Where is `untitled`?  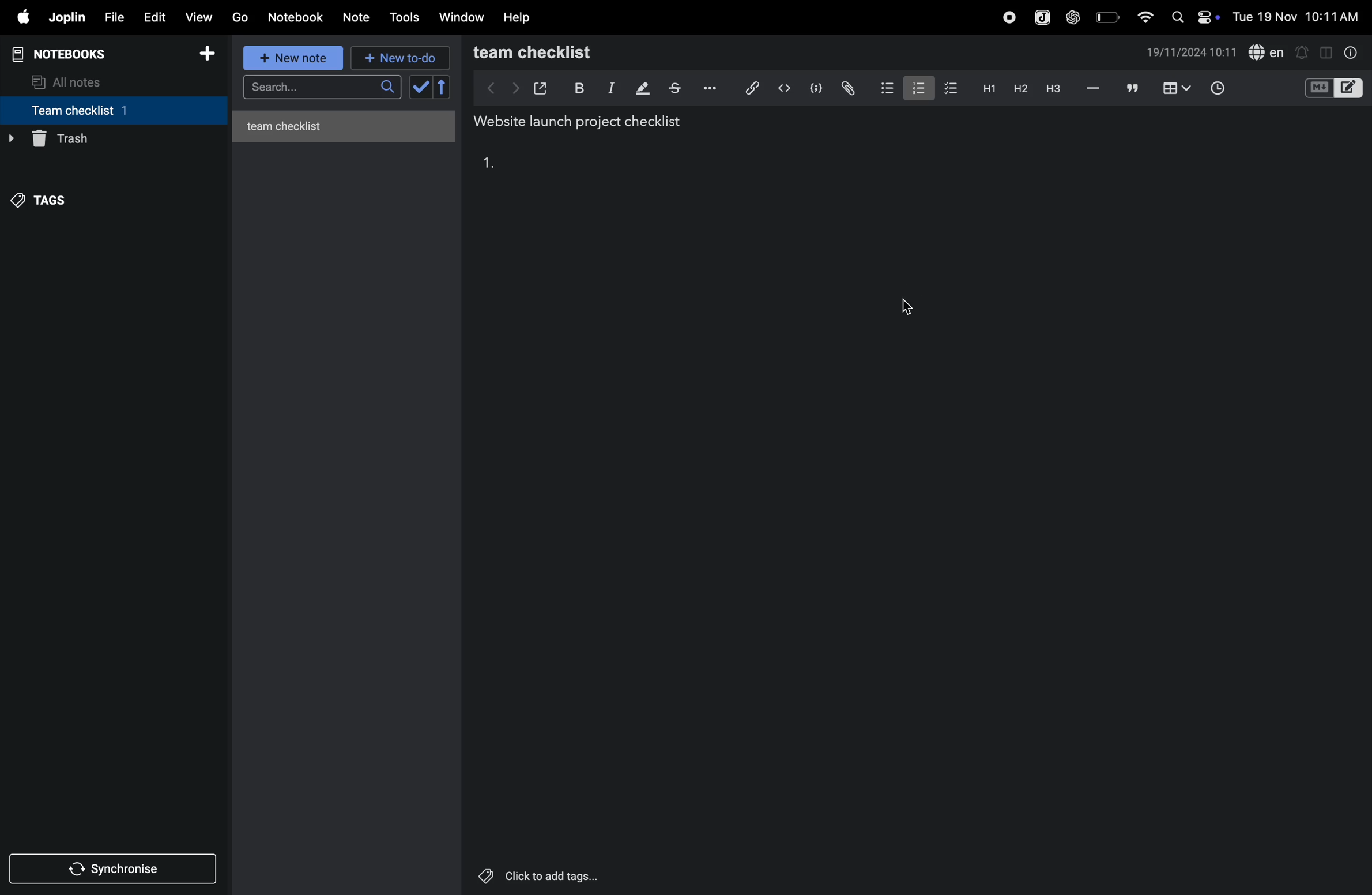 untitled is located at coordinates (348, 123).